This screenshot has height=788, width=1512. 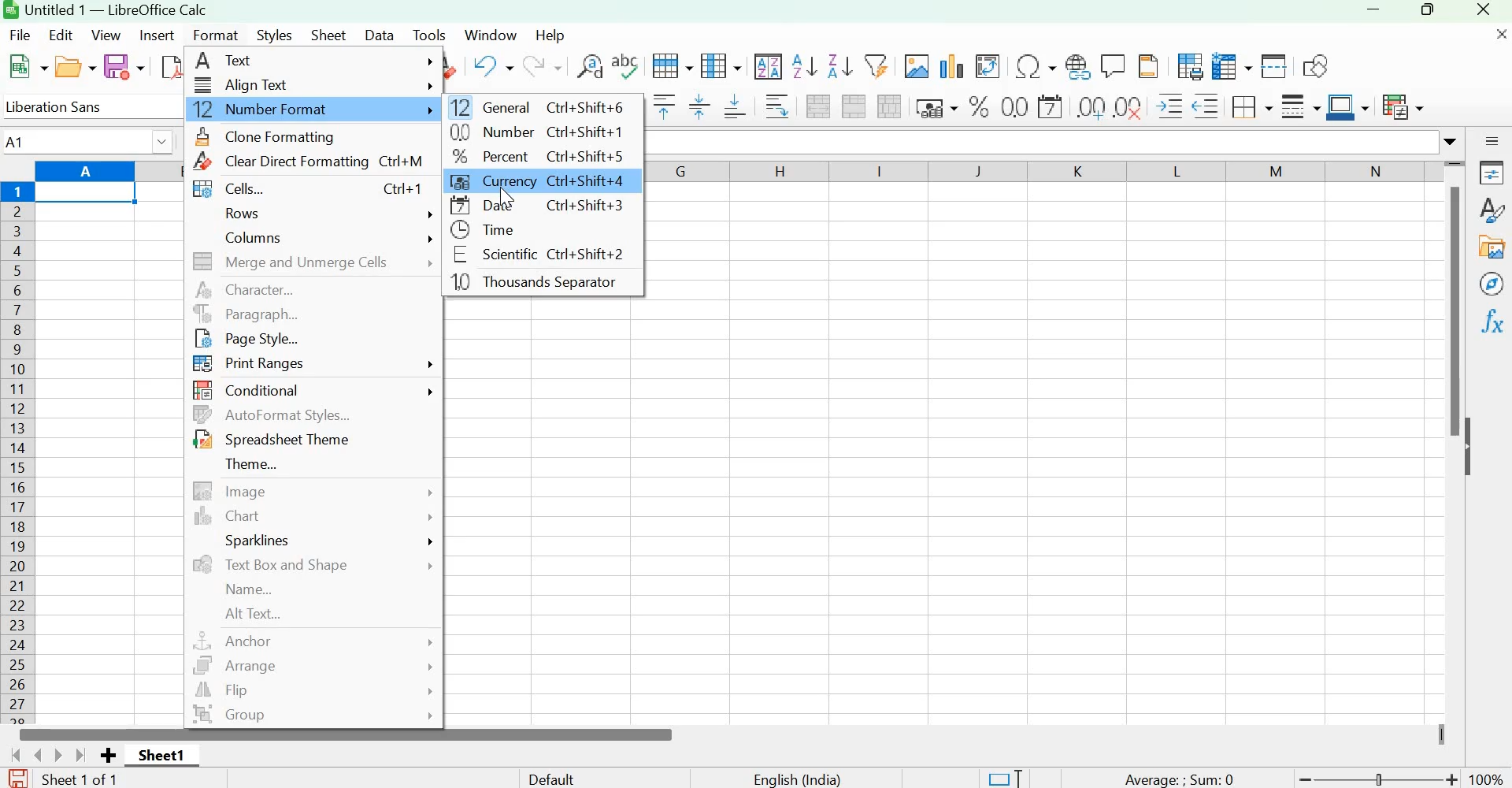 I want to click on Zoom out, so click(x=1305, y=779).